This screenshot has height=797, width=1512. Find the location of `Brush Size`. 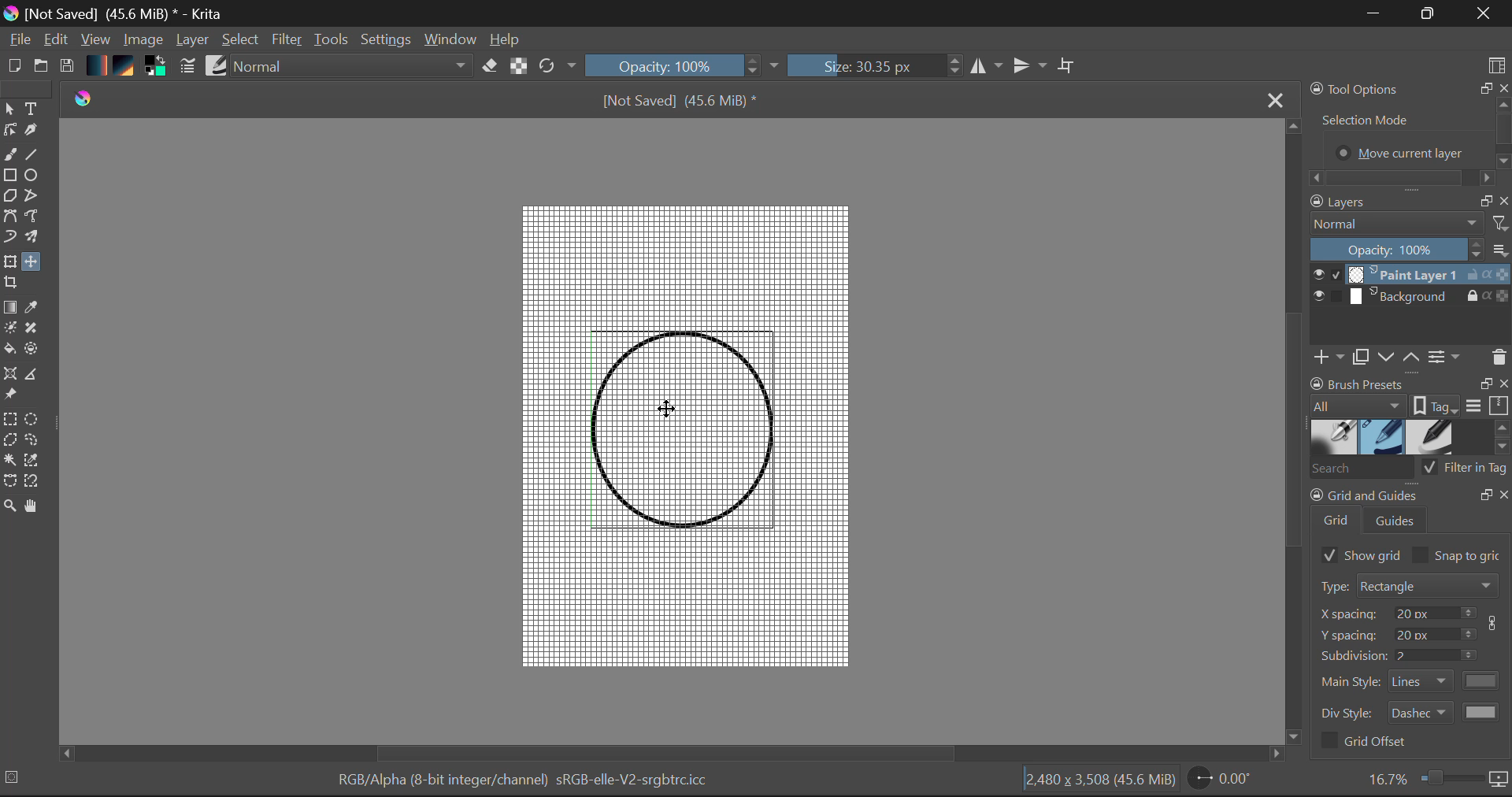

Brush Size is located at coordinates (876, 66).